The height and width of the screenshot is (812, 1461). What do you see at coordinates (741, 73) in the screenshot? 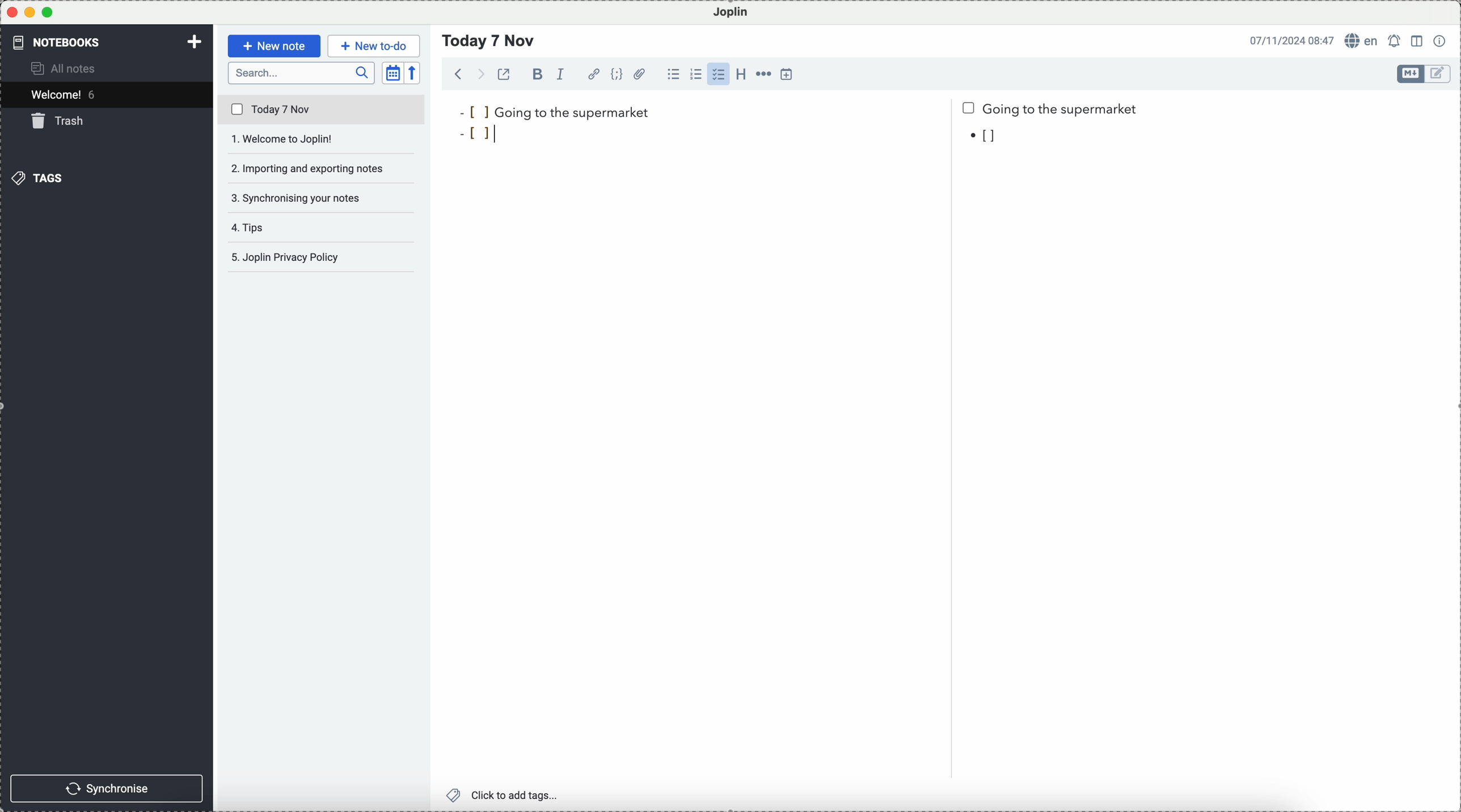
I see `heading` at bounding box center [741, 73].